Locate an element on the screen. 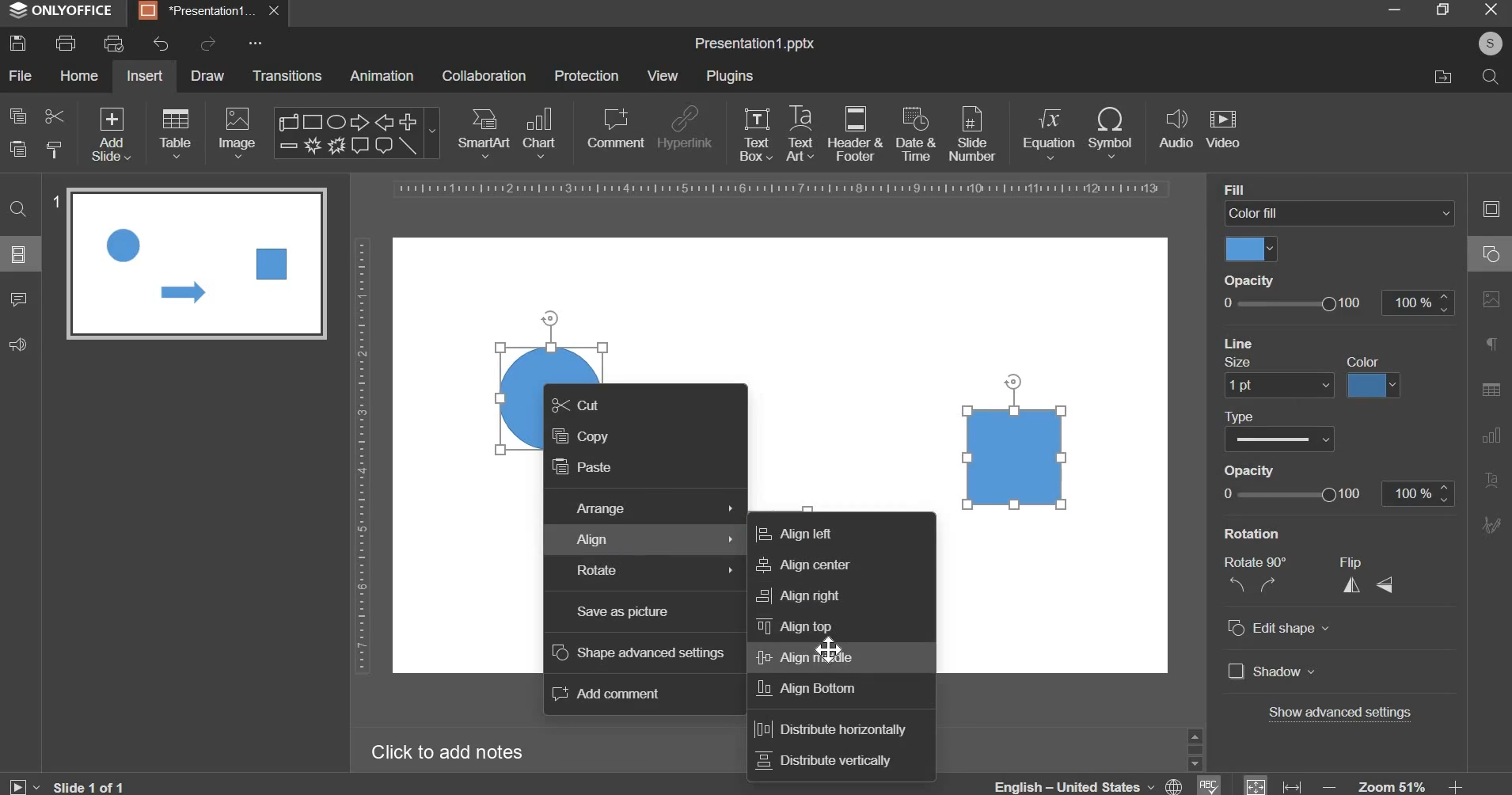 Image resolution: width=1512 pixels, height=795 pixels. transitions is located at coordinates (288, 75).